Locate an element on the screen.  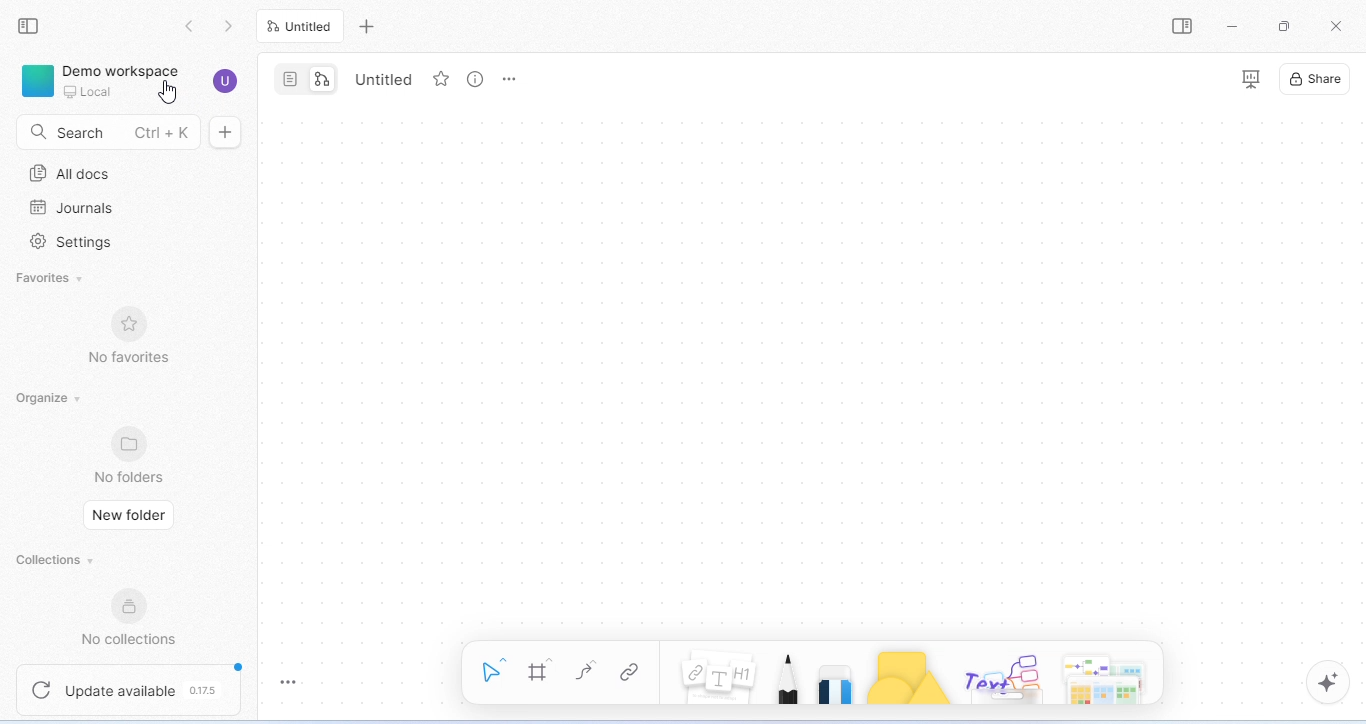
journals is located at coordinates (74, 208).